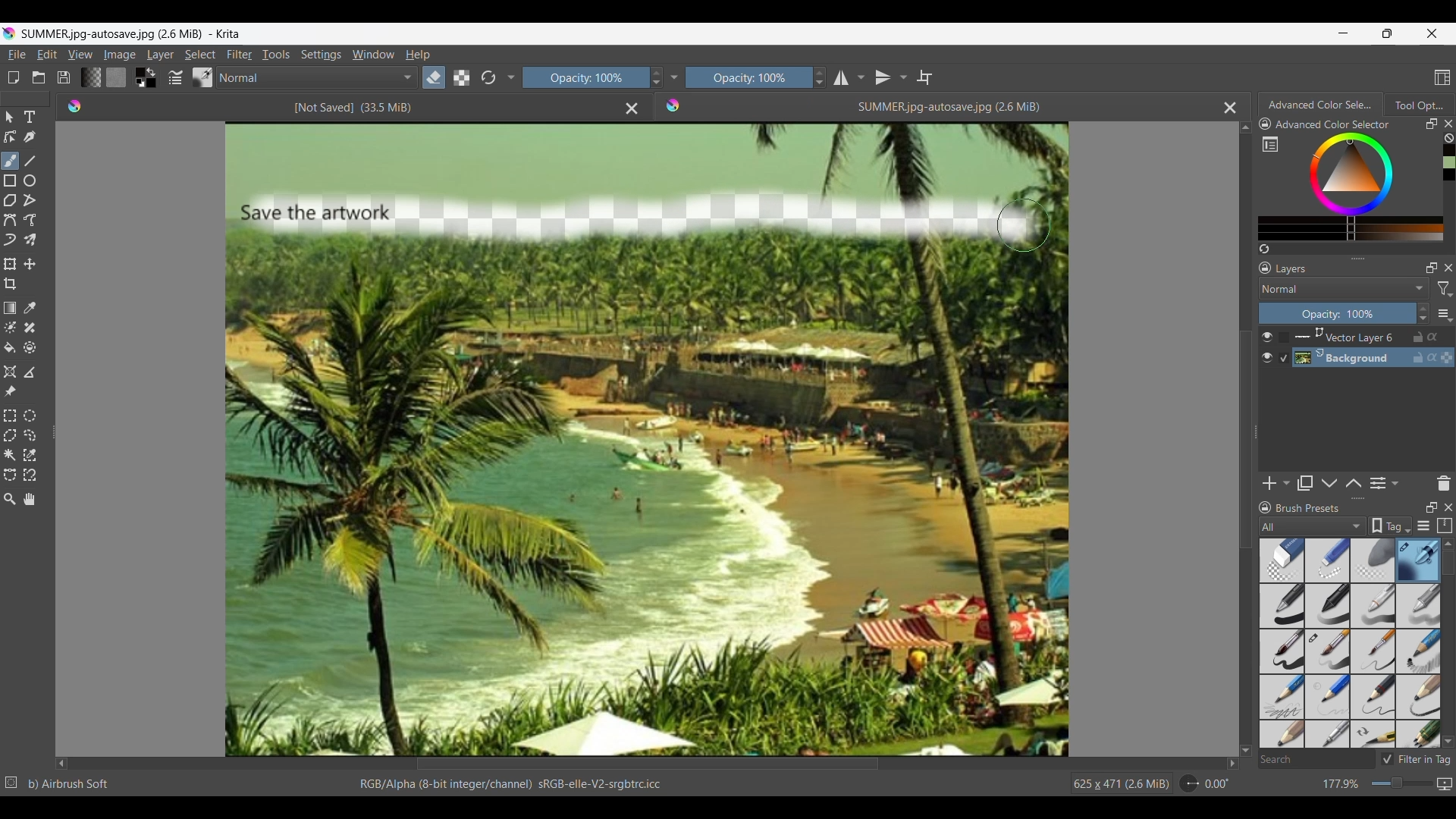 The image size is (1456, 819). I want to click on Map displayed can vas size between pixel and print size, so click(1445, 784).